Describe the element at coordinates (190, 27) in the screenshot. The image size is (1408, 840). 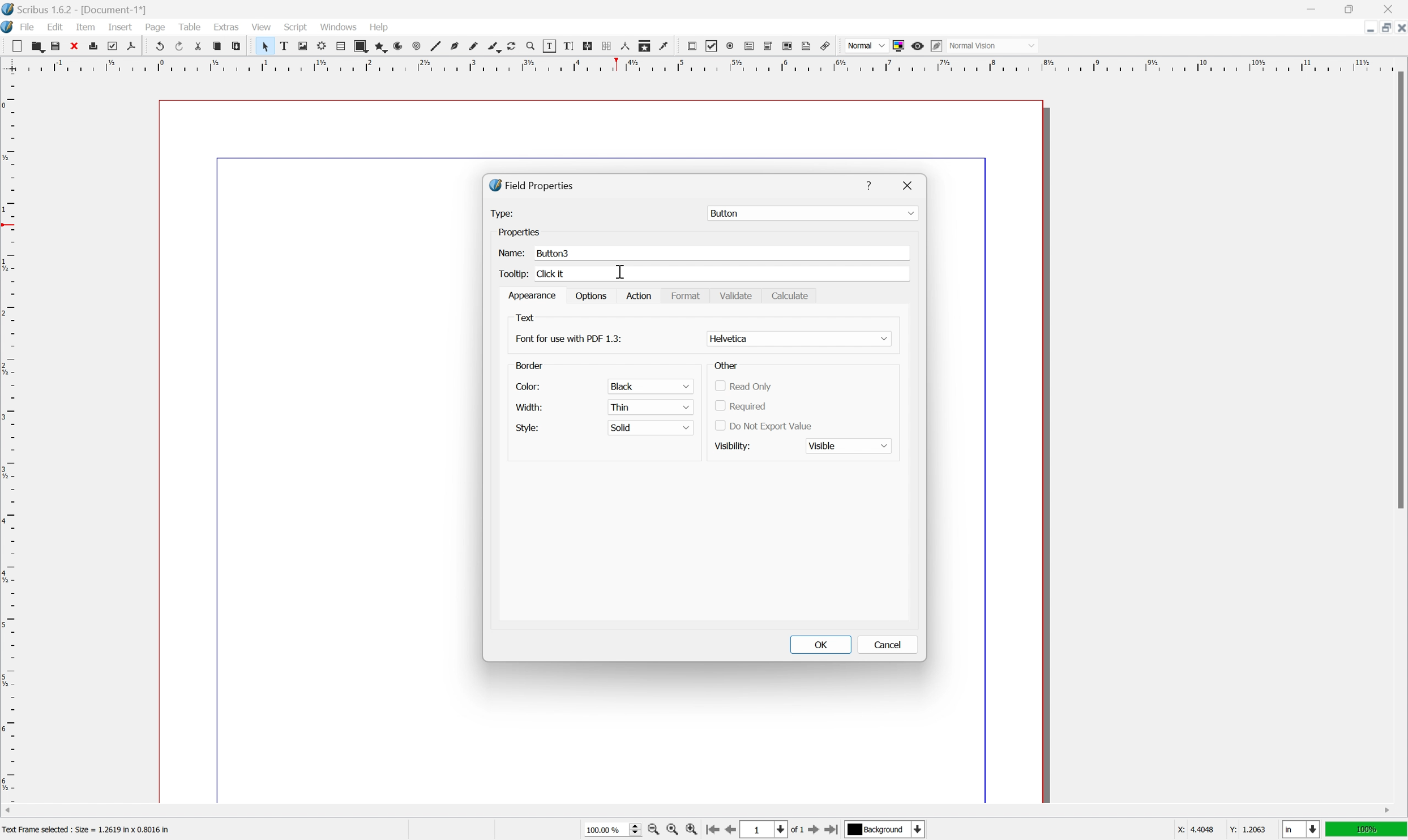
I see `table` at that location.